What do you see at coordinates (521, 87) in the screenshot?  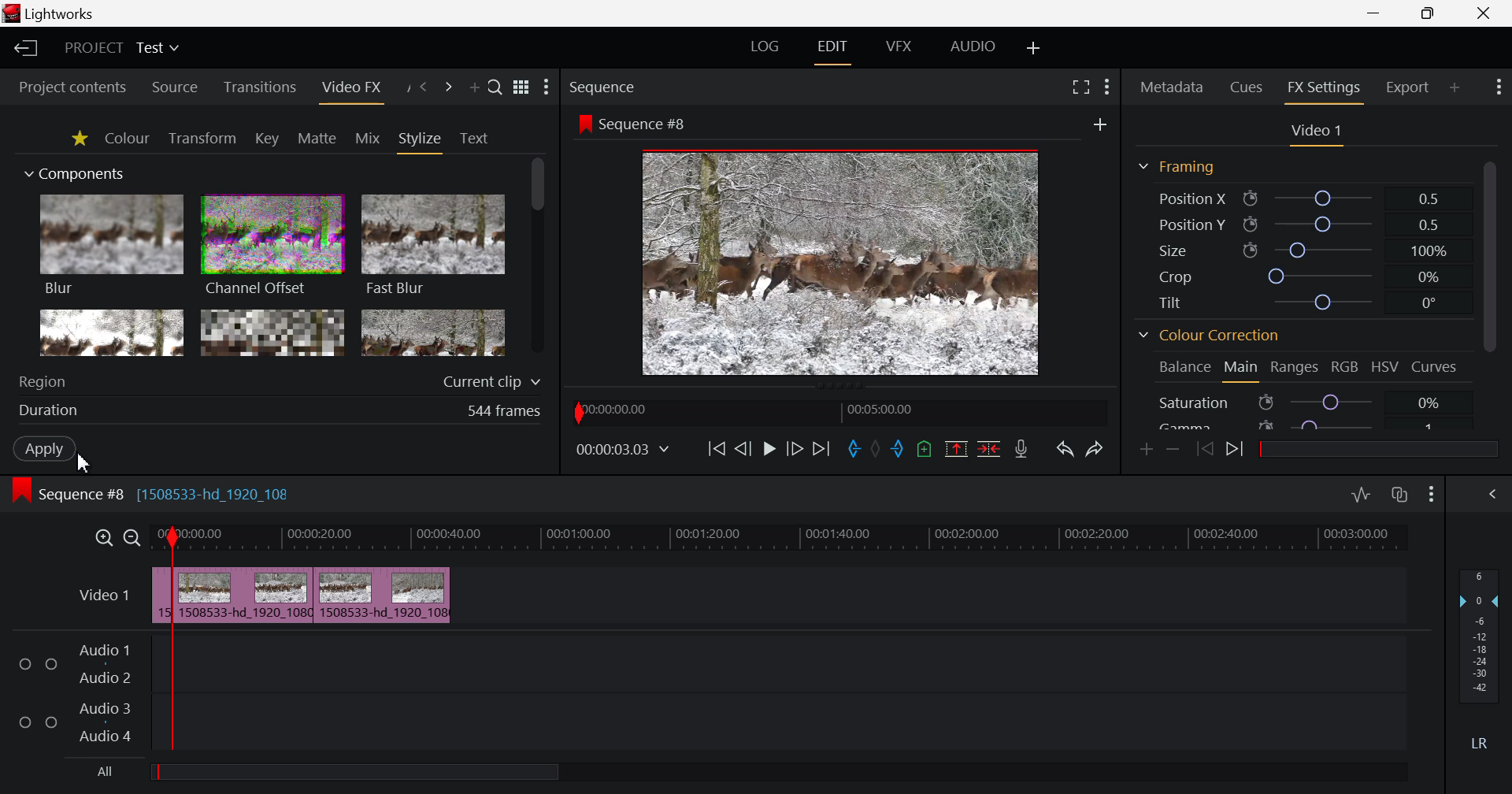 I see `Toggle between list and title view` at bounding box center [521, 87].